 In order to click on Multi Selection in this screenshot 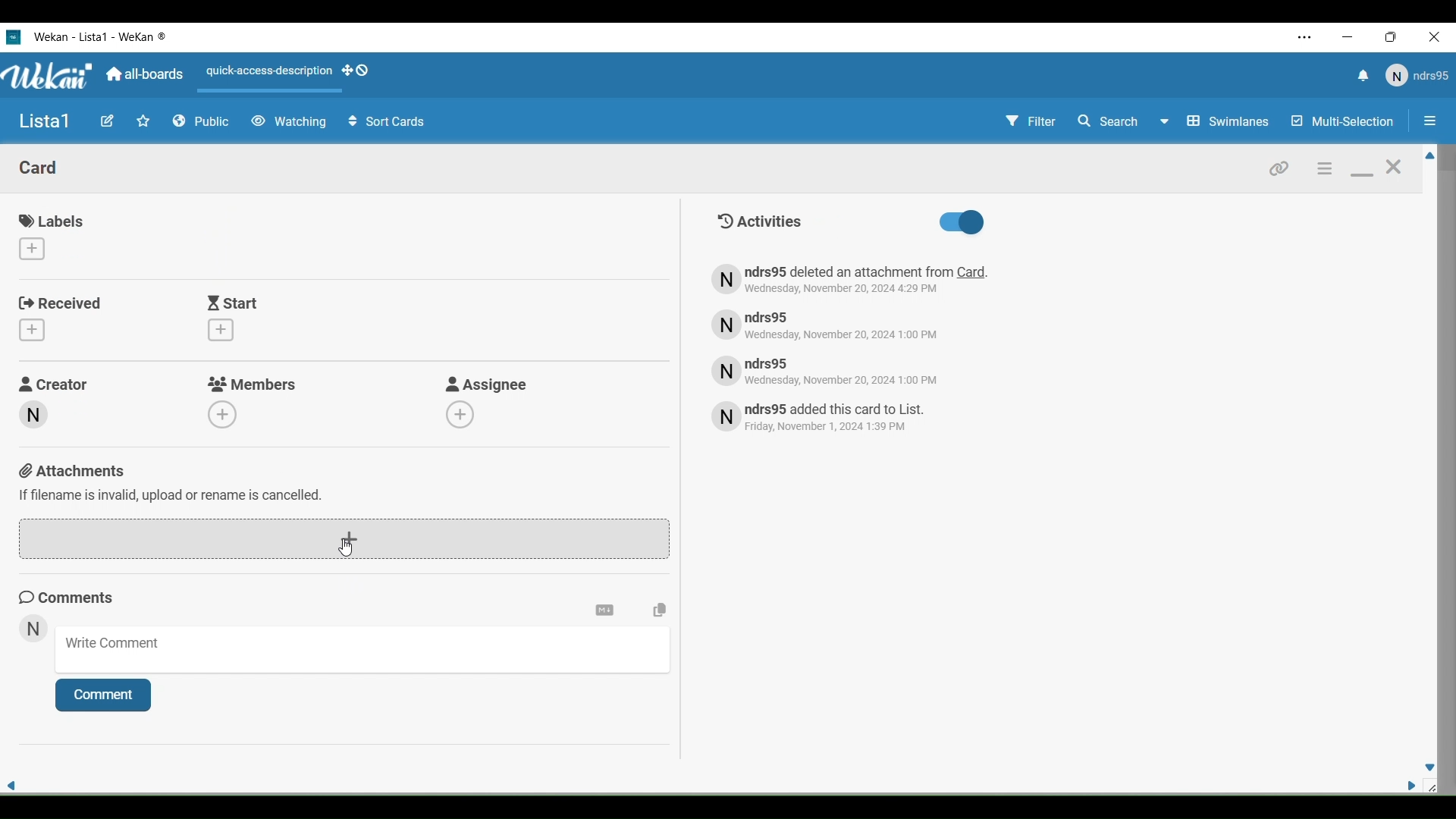, I will do `click(1341, 122)`.